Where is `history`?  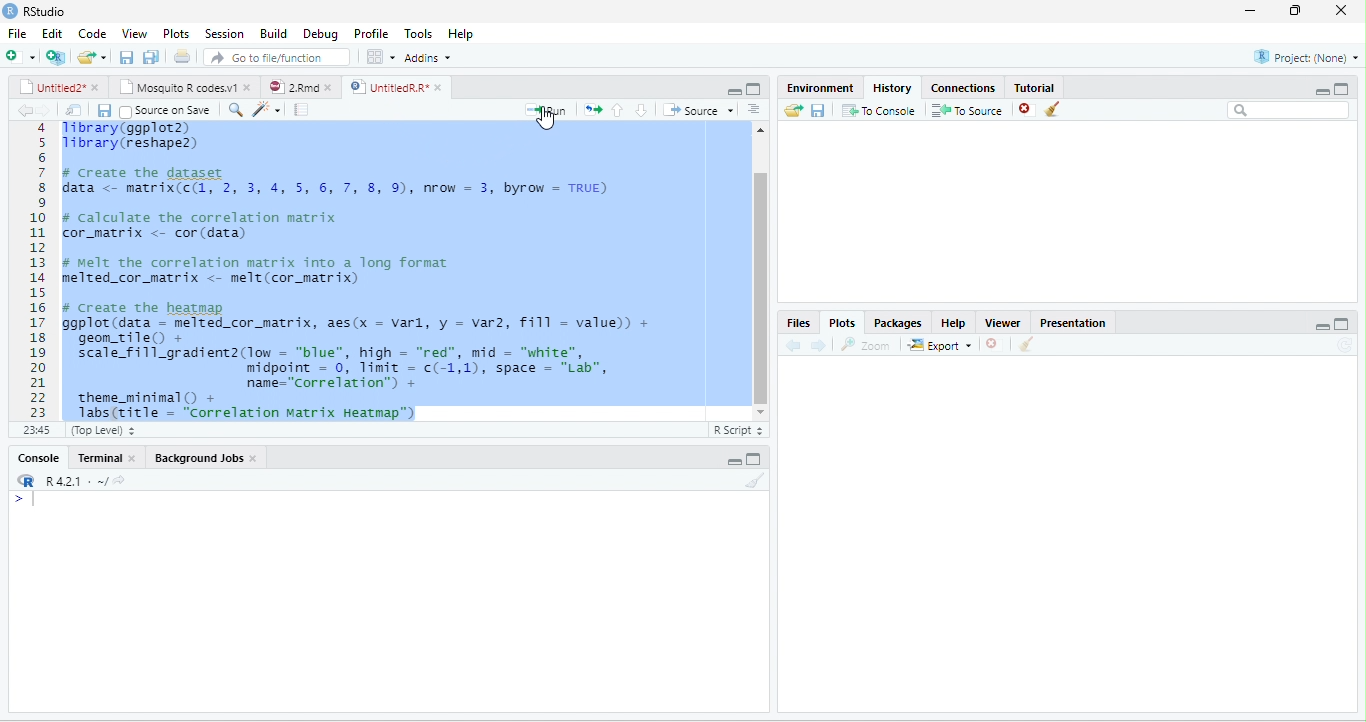
history is located at coordinates (890, 86).